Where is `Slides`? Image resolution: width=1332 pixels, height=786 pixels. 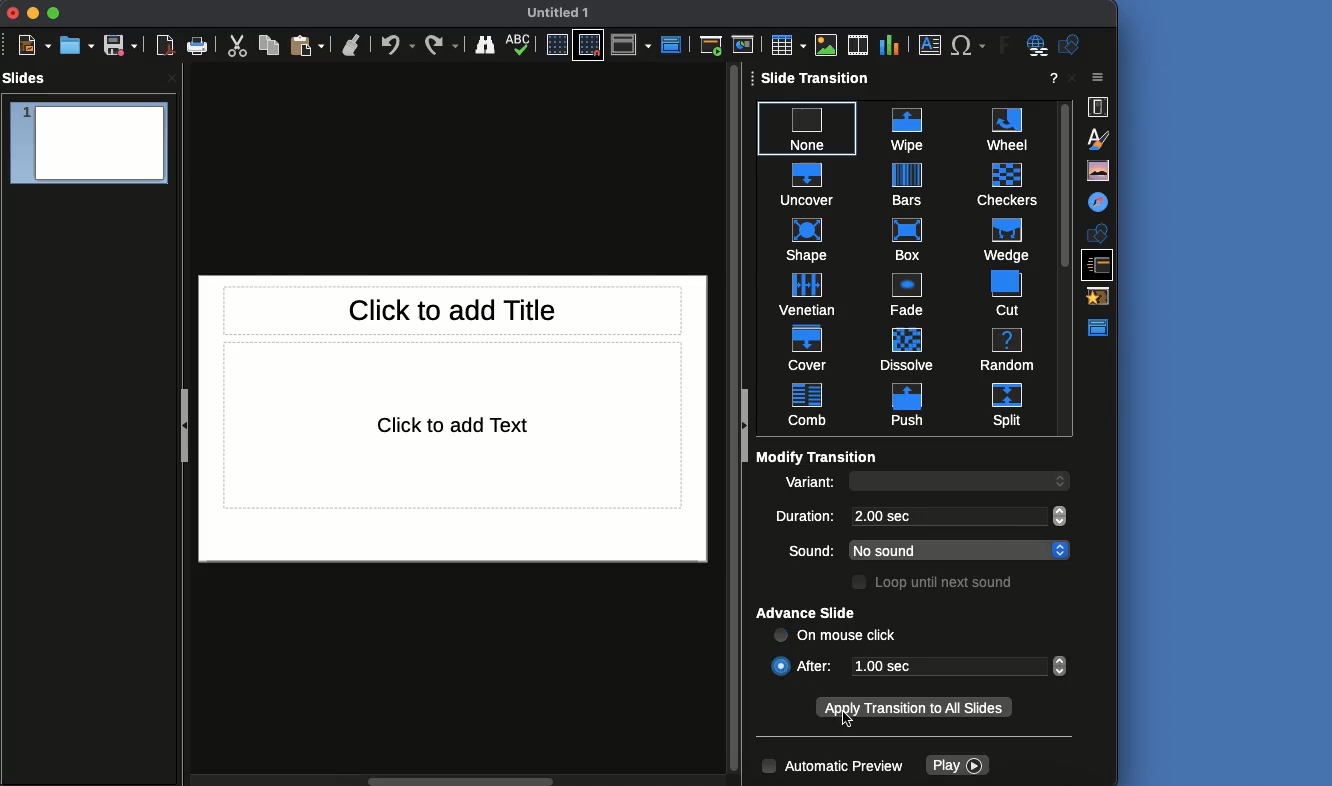 Slides is located at coordinates (28, 78).